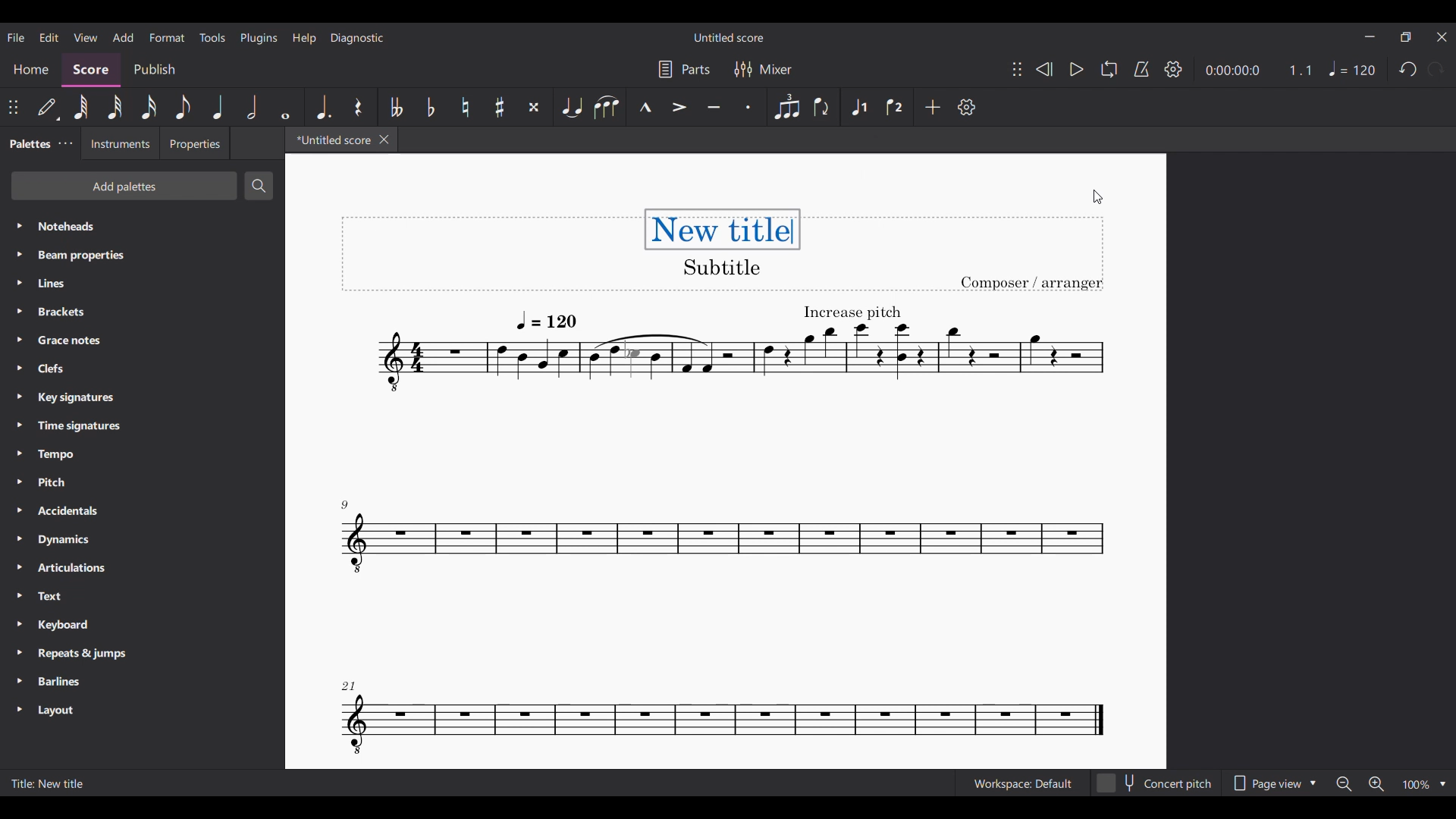 This screenshot has width=1456, height=819. Describe the element at coordinates (534, 107) in the screenshot. I see `Toggle double sharp` at that location.